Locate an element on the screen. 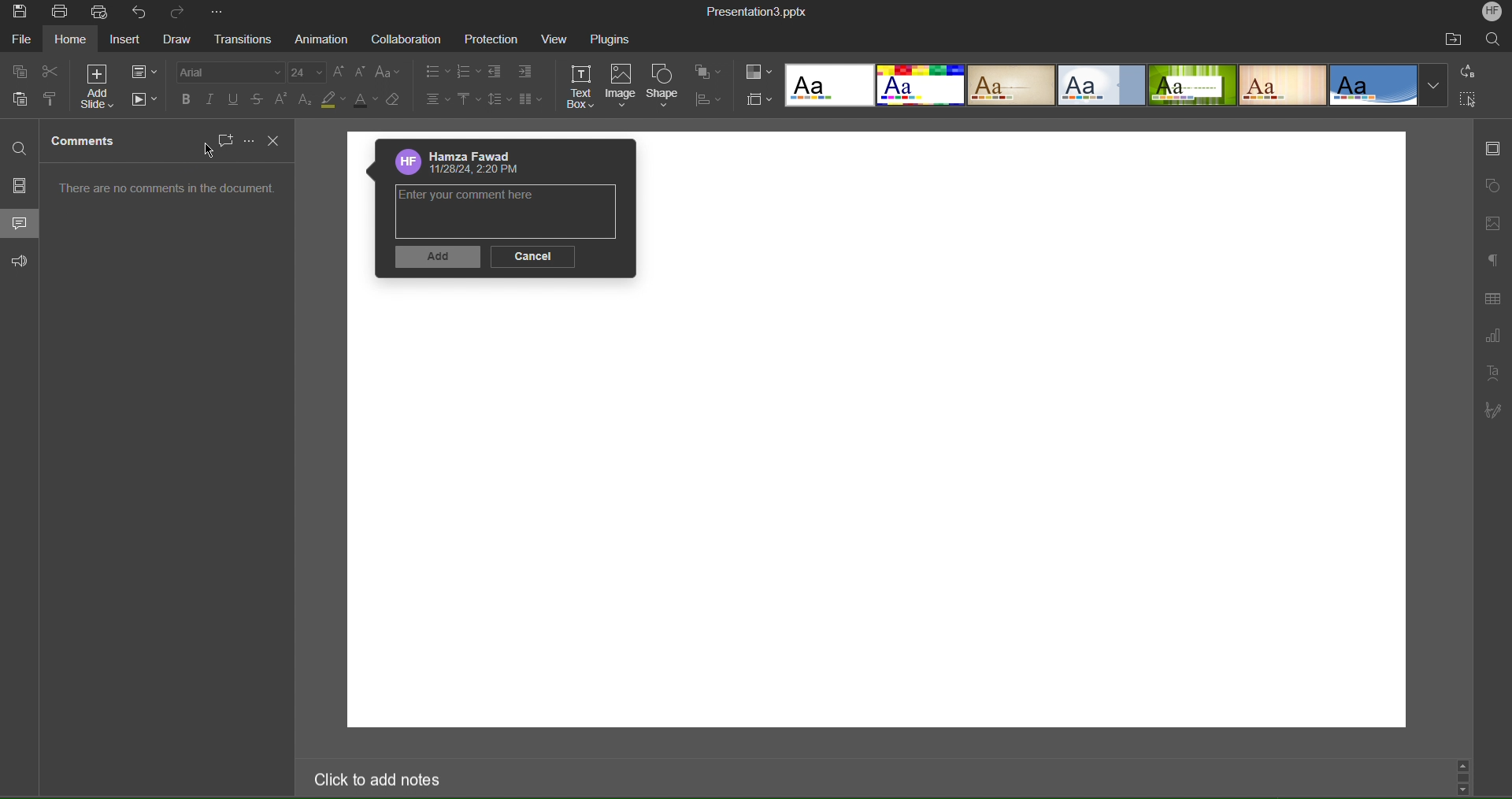  Open File Location is located at coordinates (1453, 40).